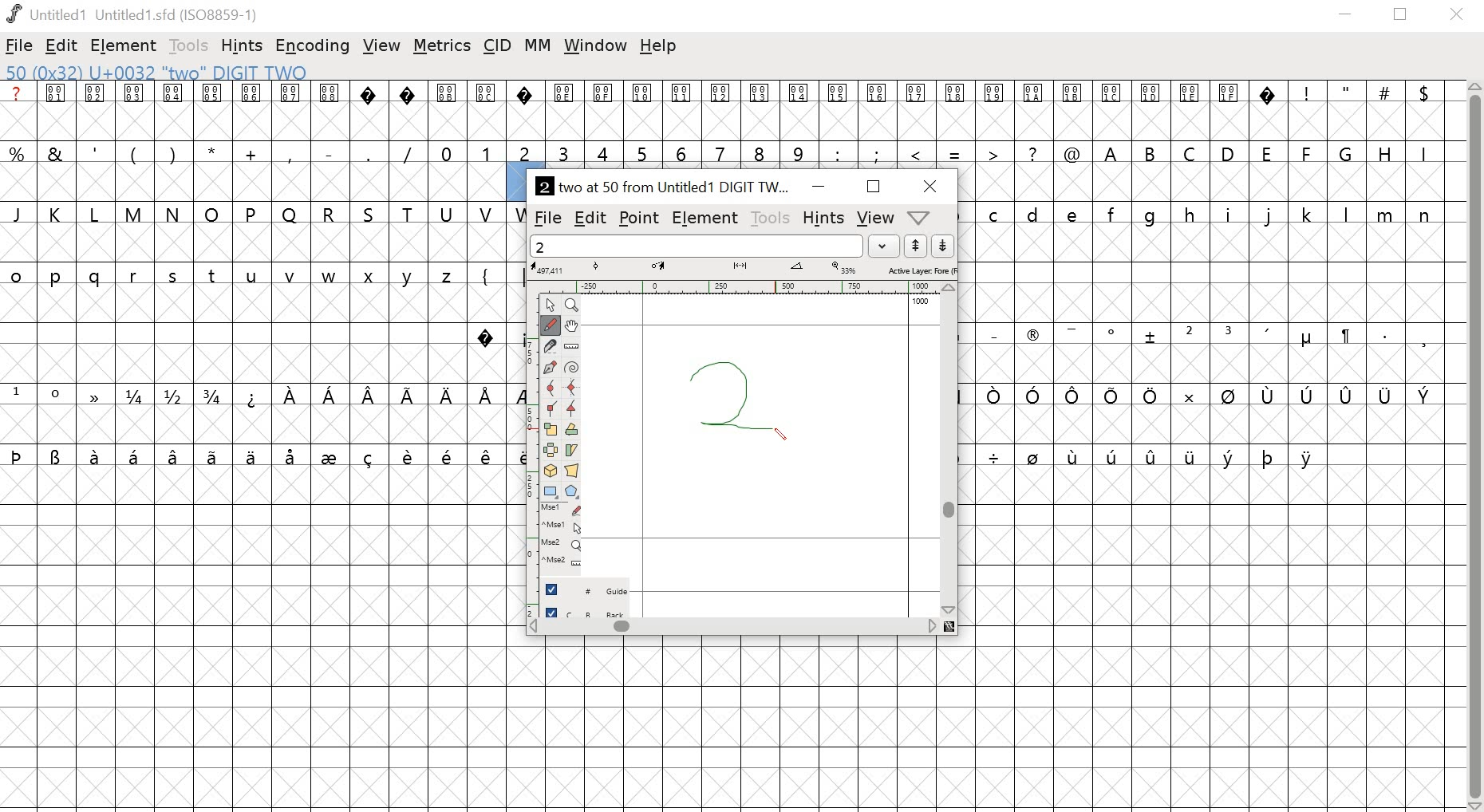 The image size is (1484, 812). Describe the element at coordinates (982, 122) in the screenshot. I see `glyphs` at that location.